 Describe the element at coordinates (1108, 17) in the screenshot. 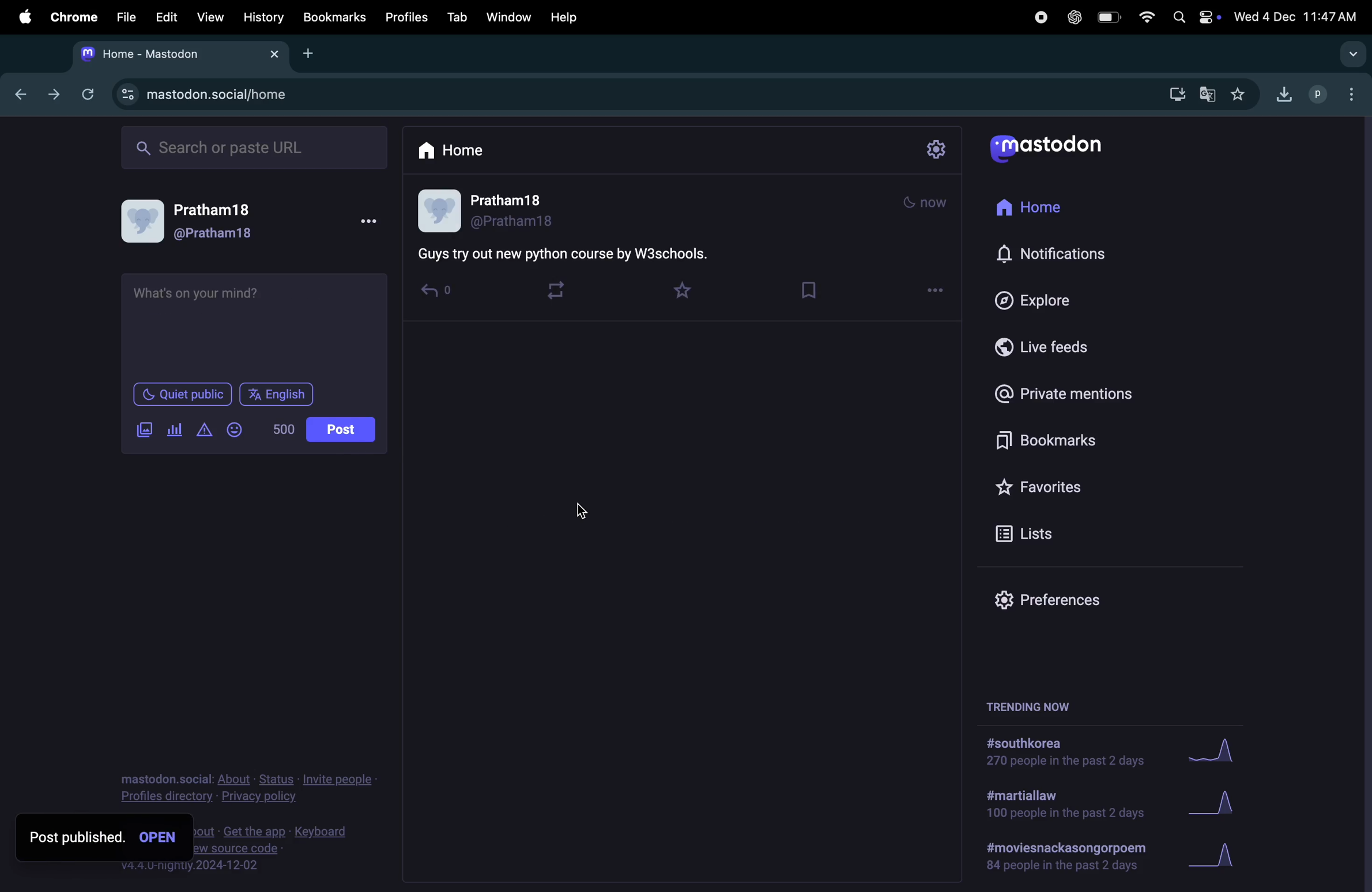

I see `battery` at that location.